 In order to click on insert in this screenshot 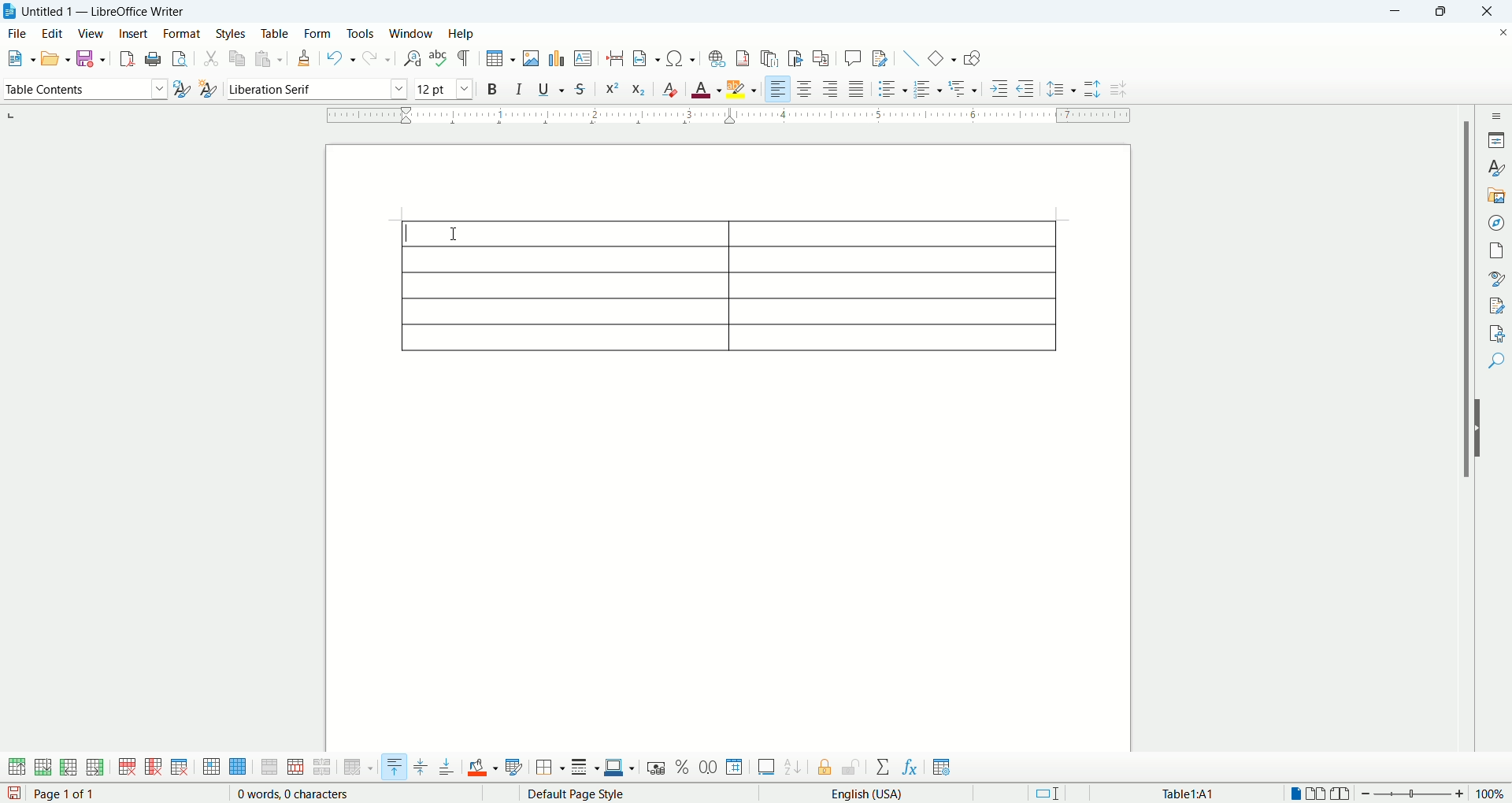, I will do `click(135, 33)`.